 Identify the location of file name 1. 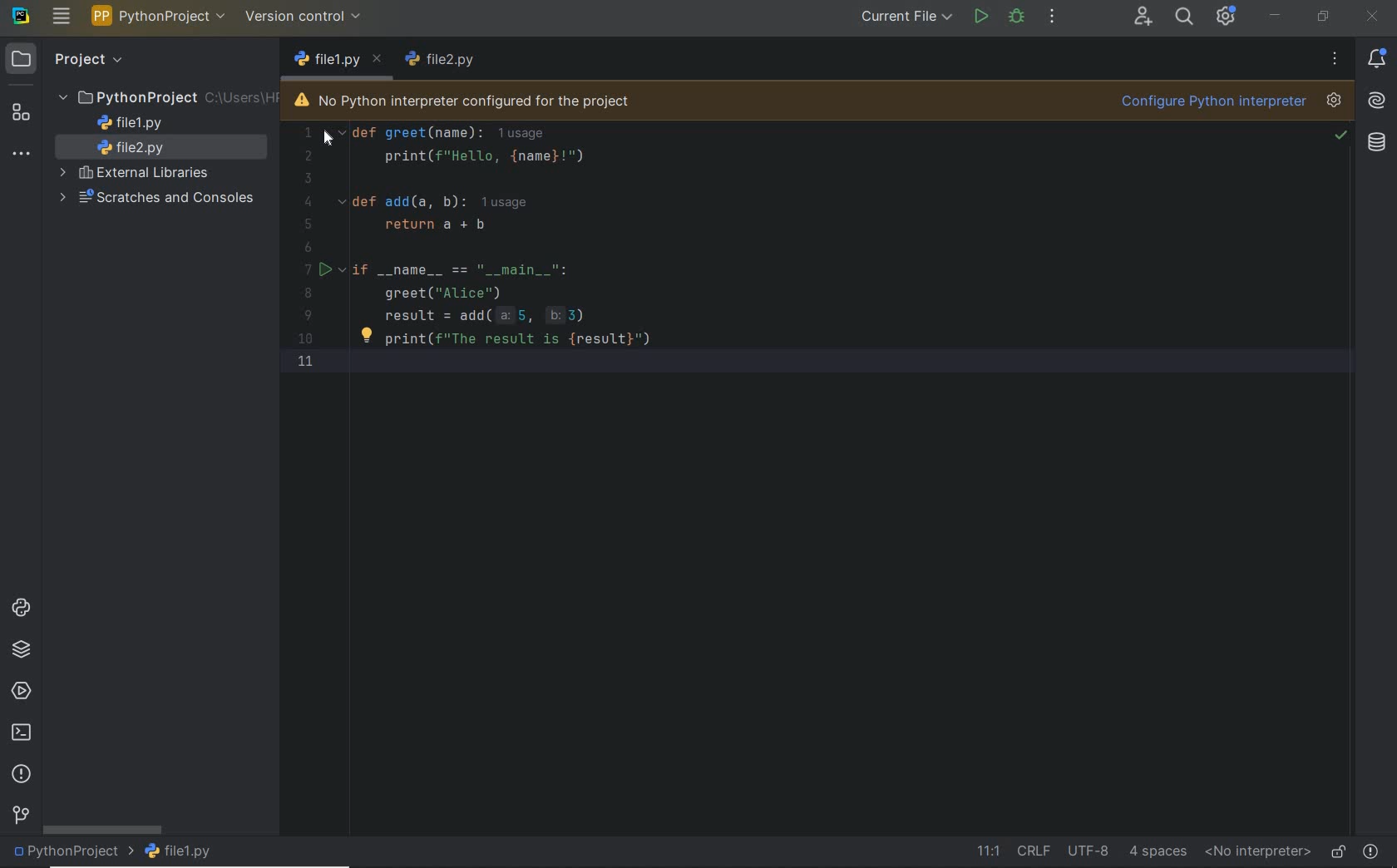
(131, 123).